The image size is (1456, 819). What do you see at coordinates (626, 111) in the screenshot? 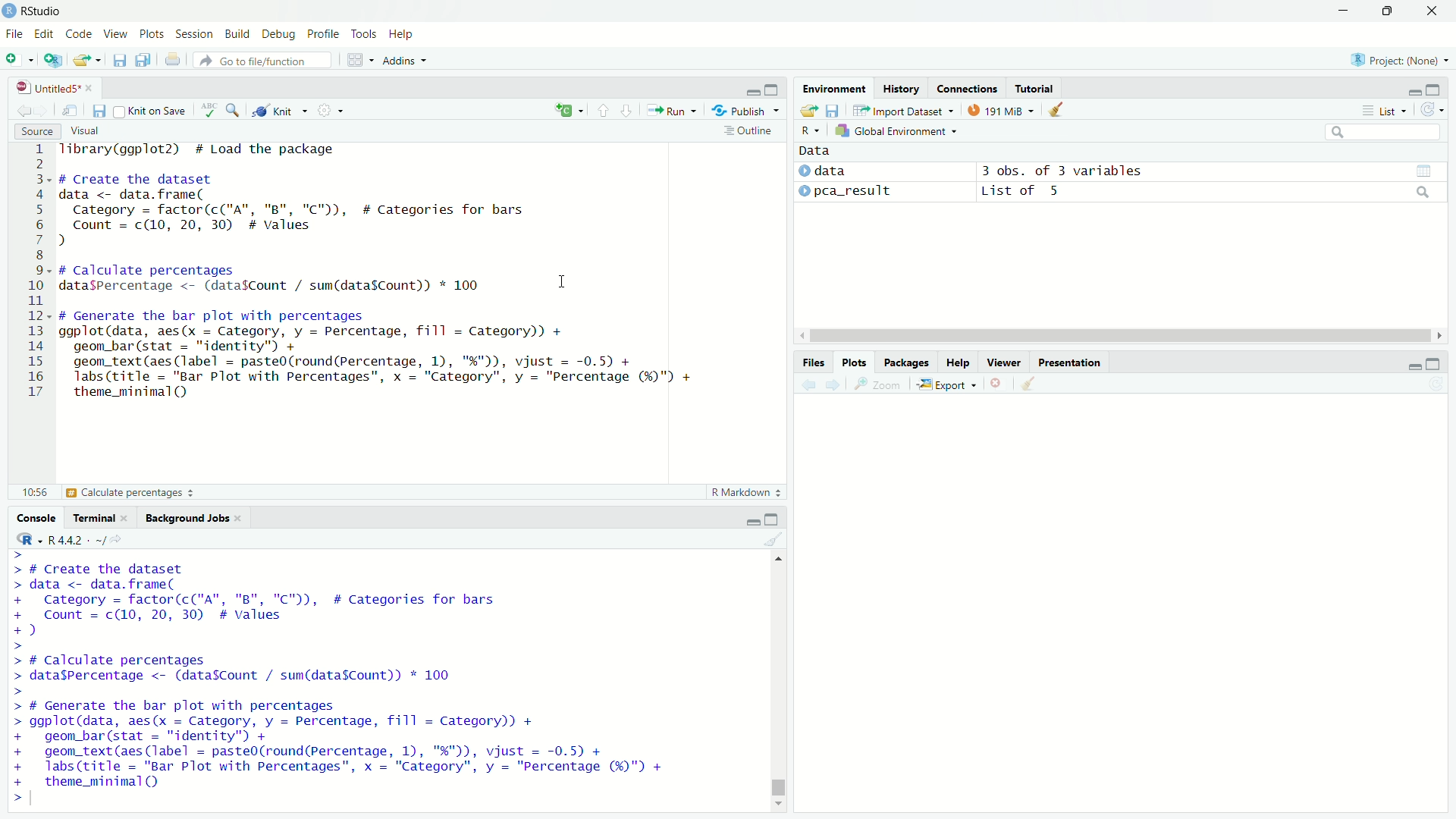
I see `go to next section` at bounding box center [626, 111].